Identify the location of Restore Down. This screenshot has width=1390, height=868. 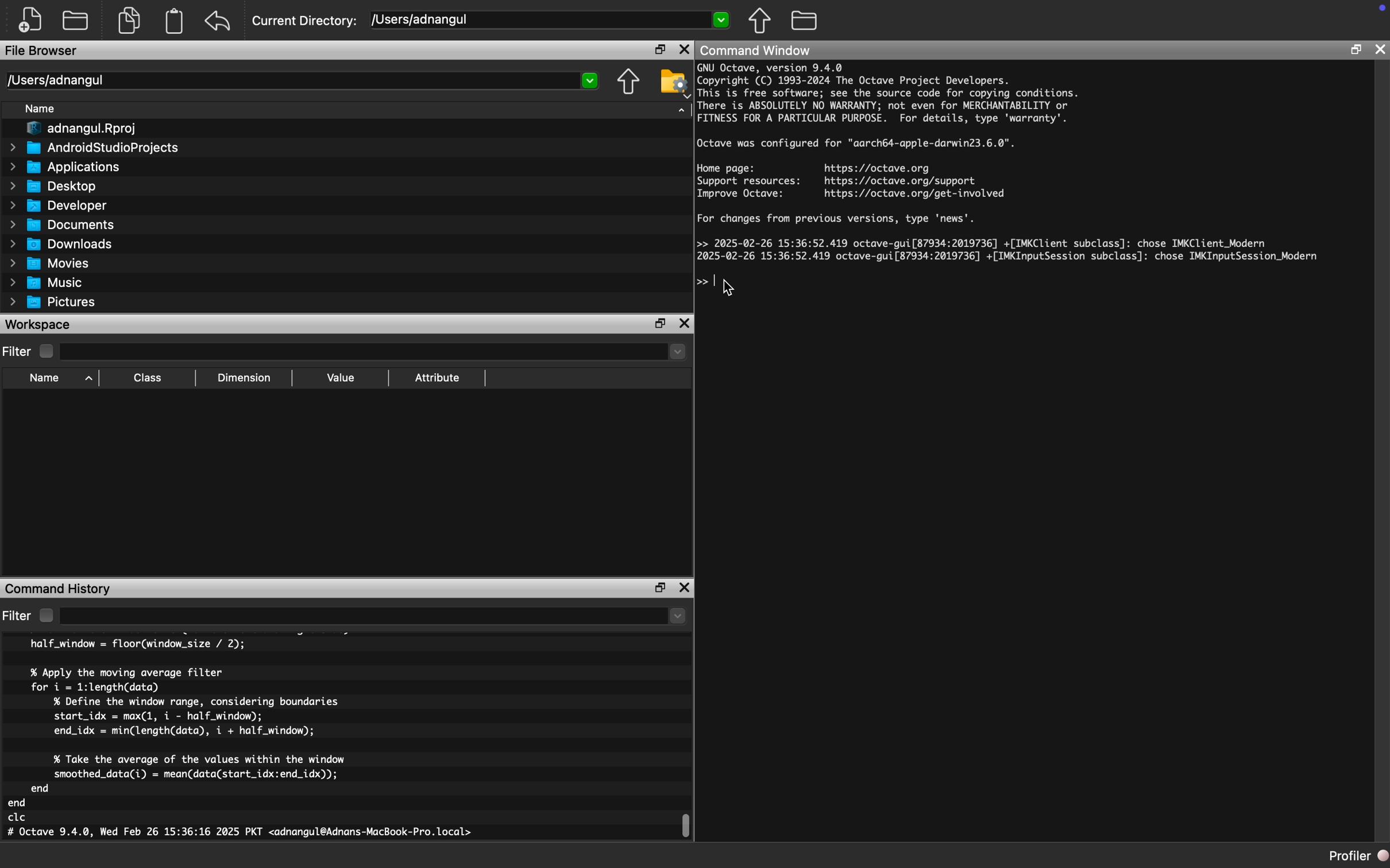
(1355, 49).